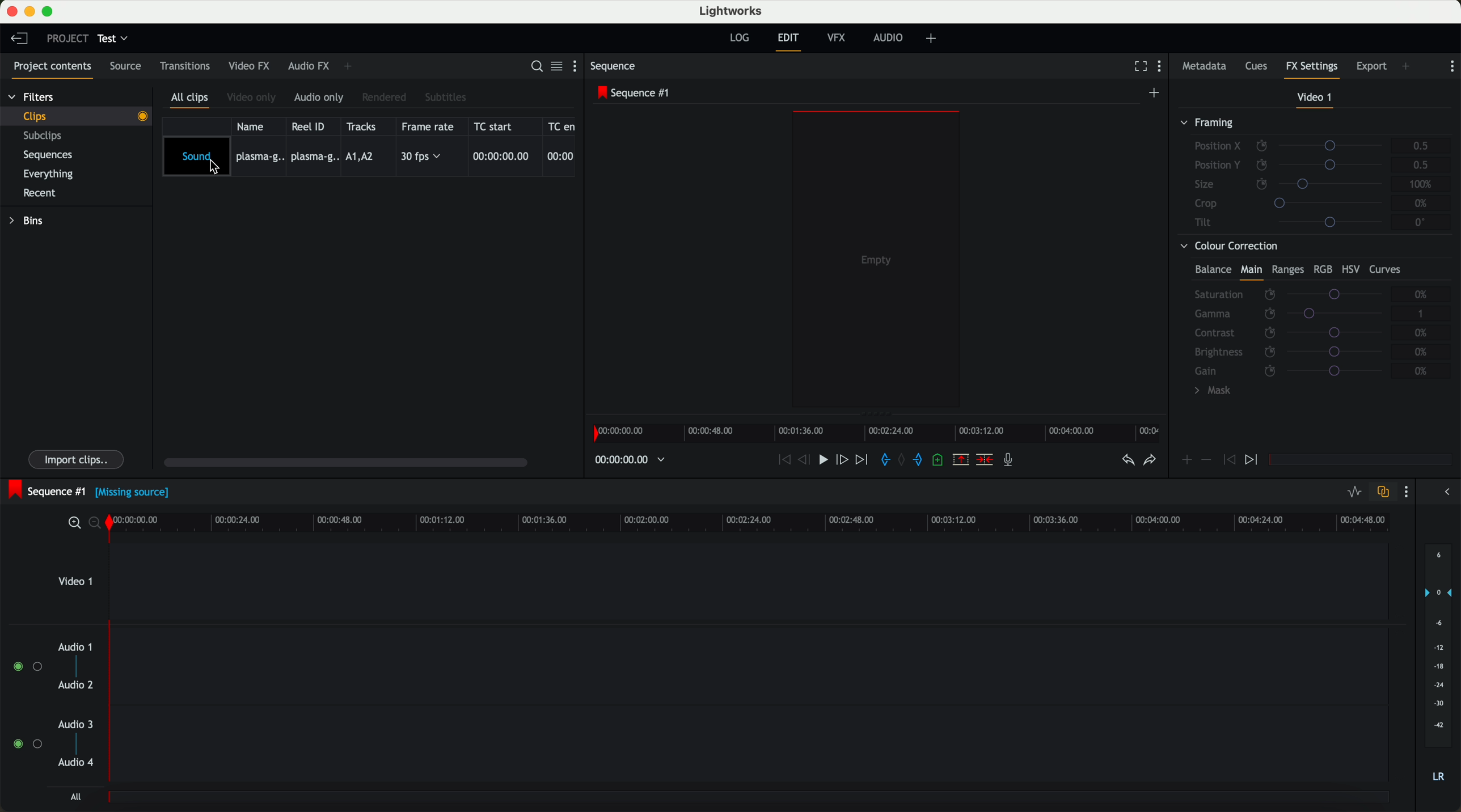 Image resolution: width=1461 pixels, height=812 pixels. I want to click on show settings menu, so click(577, 68).